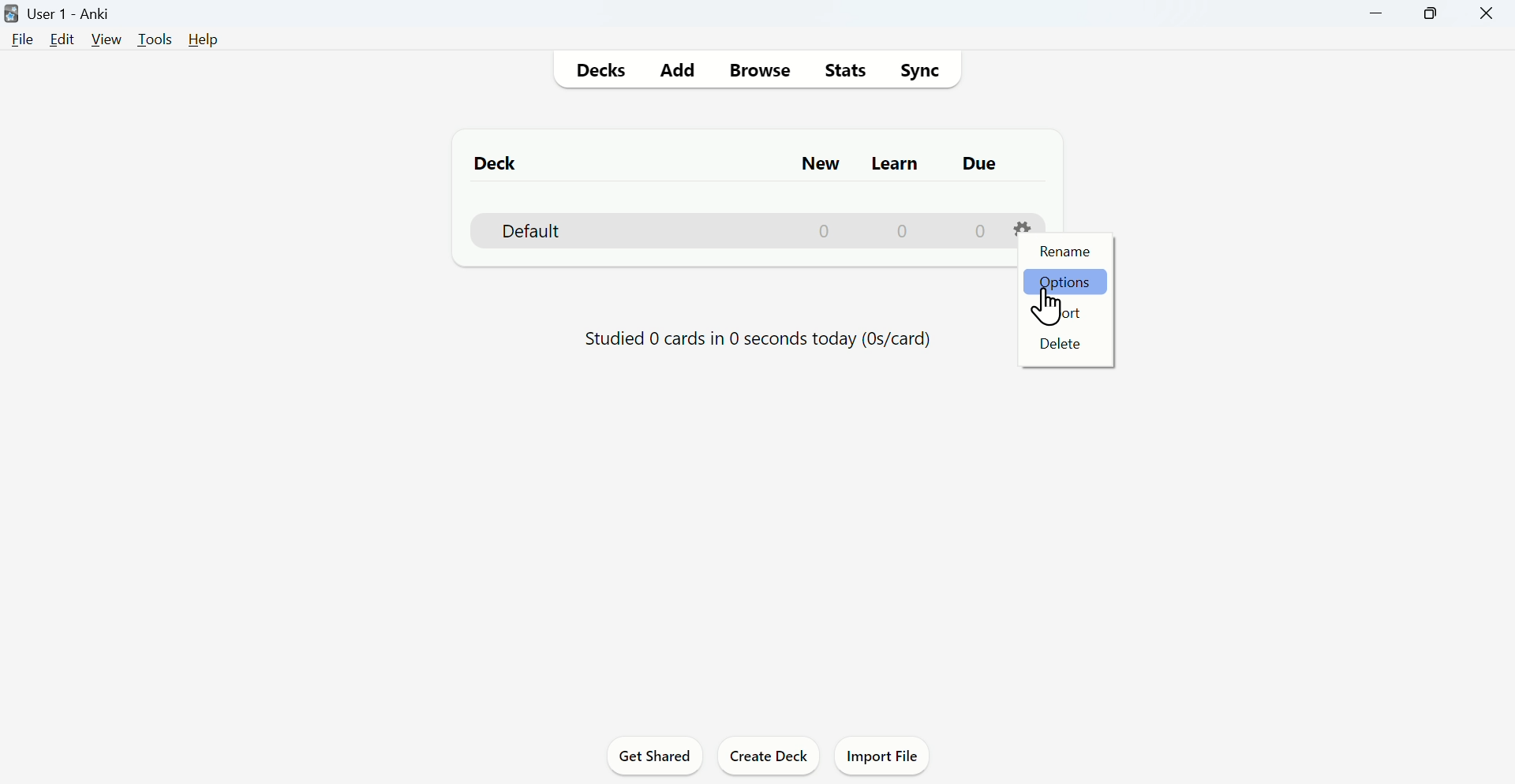 This screenshot has width=1515, height=784. What do you see at coordinates (1486, 14) in the screenshot?
I see `Close` at bounding box center [1486, 14].